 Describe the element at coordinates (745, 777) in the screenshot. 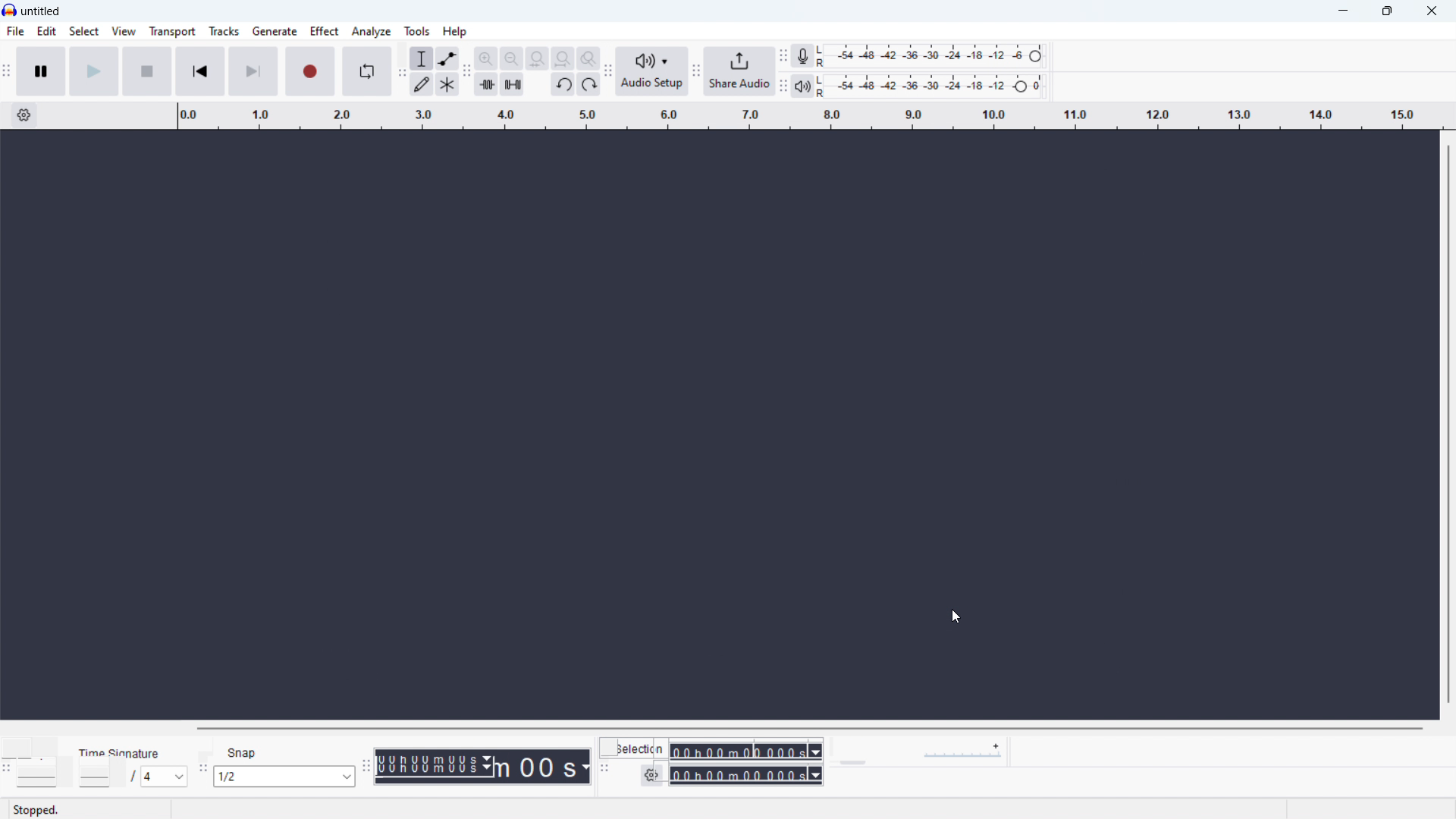

I see `end time` at that location.